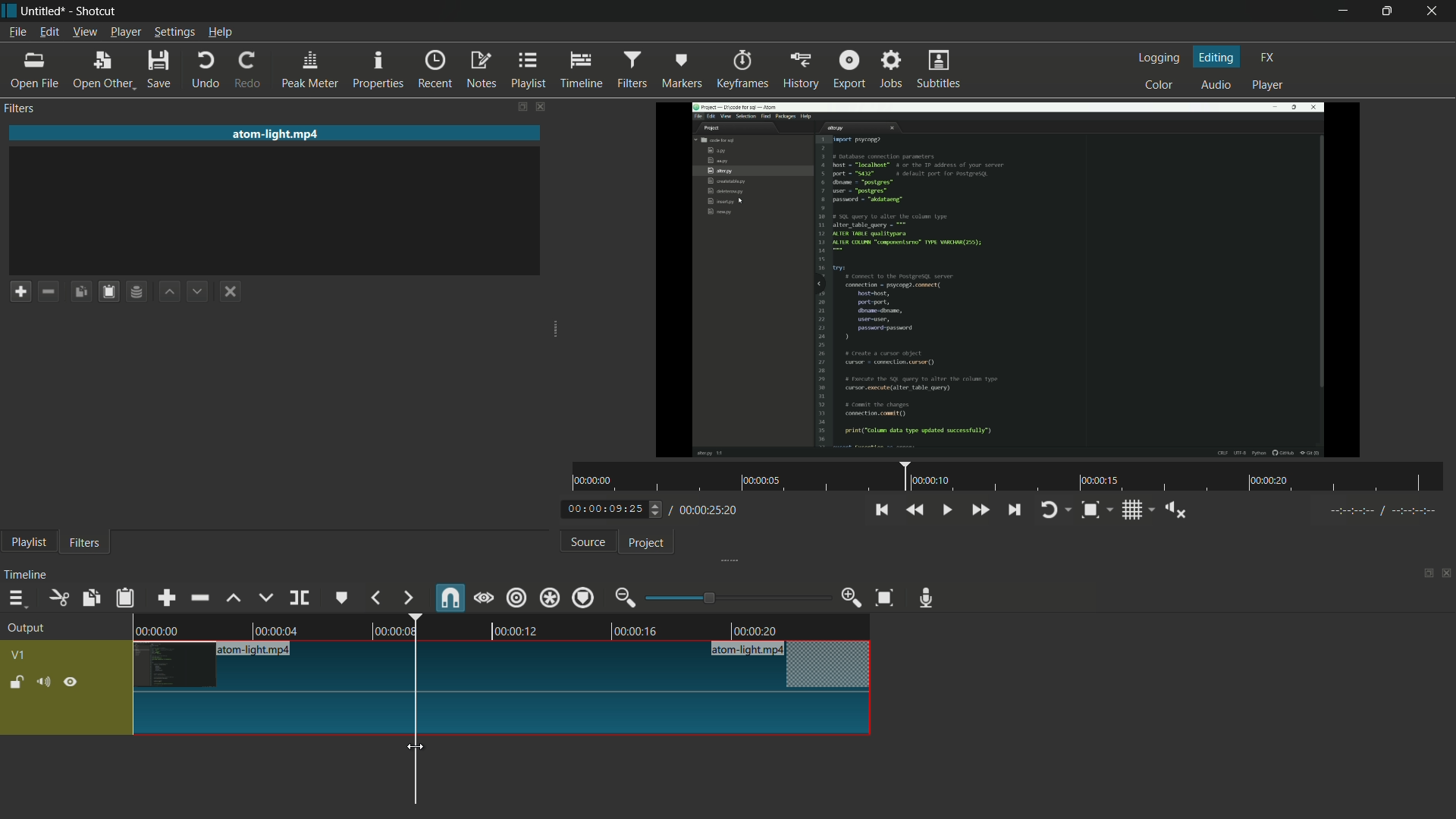 This screenshot has width=1456, height=819. What do you see at coordinates (736, 598) in the screenshot?
I see `adjustment bar` at bounding box center [736, 598].